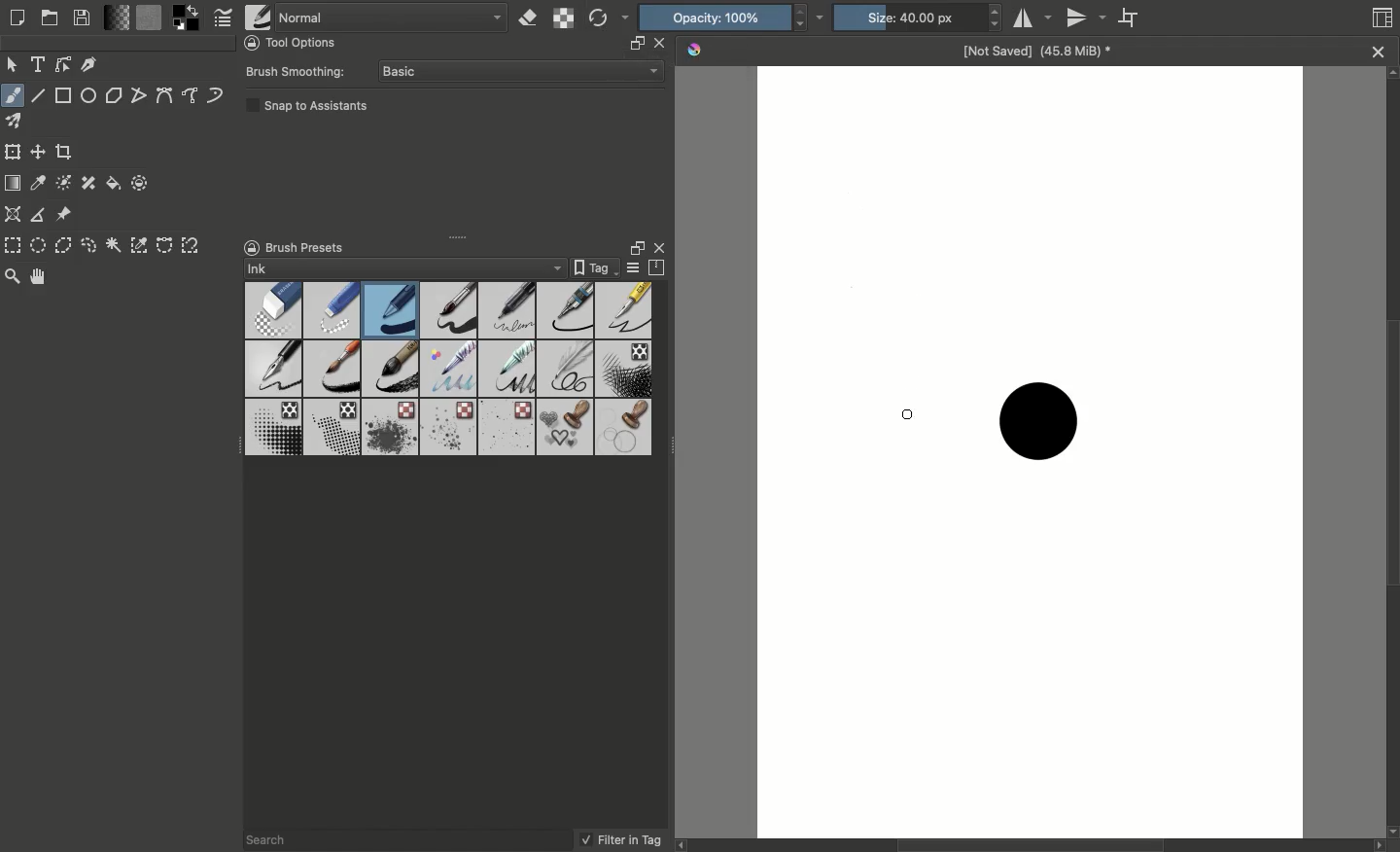  Describe the element at coordinates (297, 42) in the screenshot. I see `Tool options` at that location.